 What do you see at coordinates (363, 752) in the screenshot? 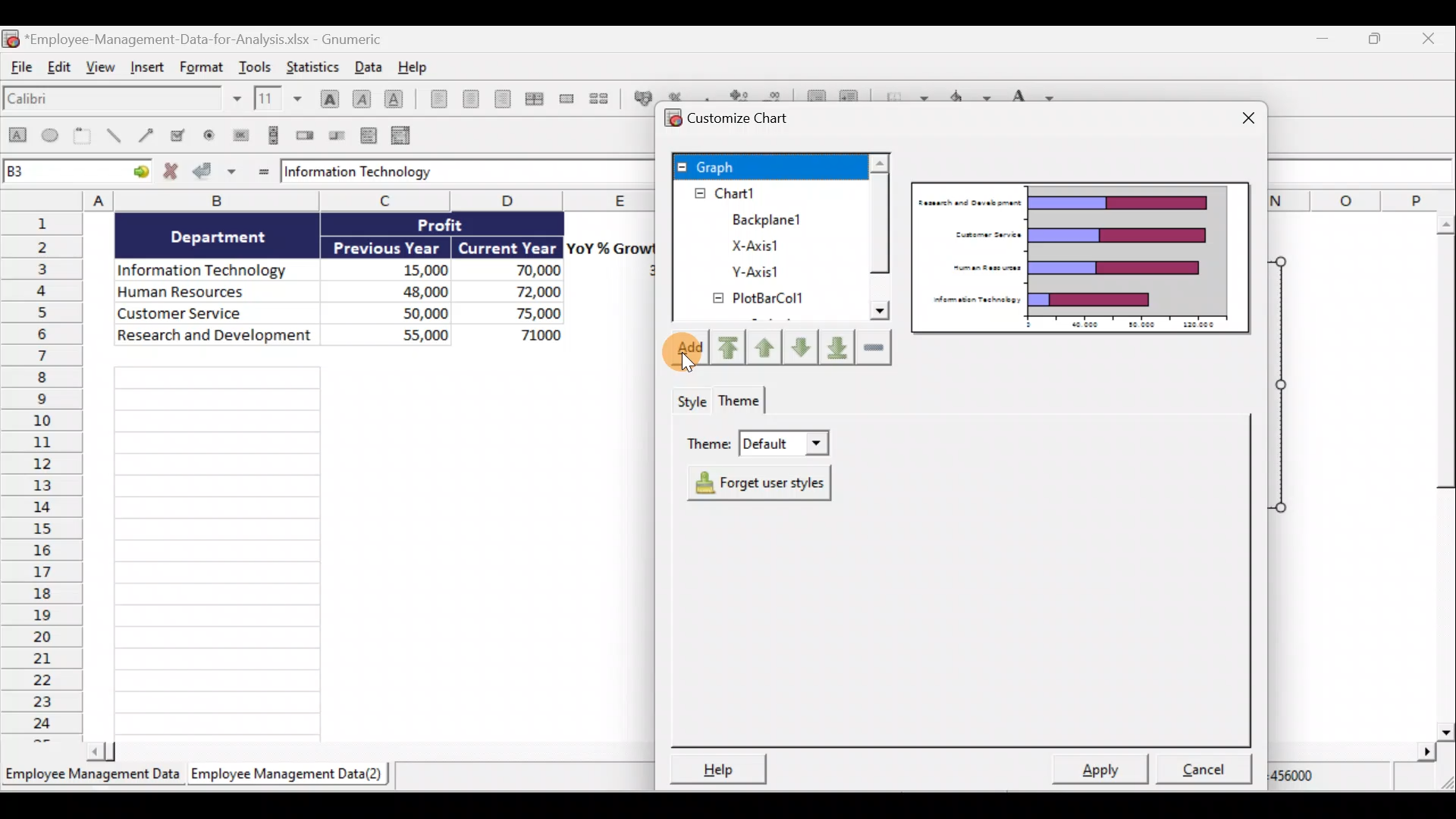
I see `Scroll bar` at bounding box center [363, 752].